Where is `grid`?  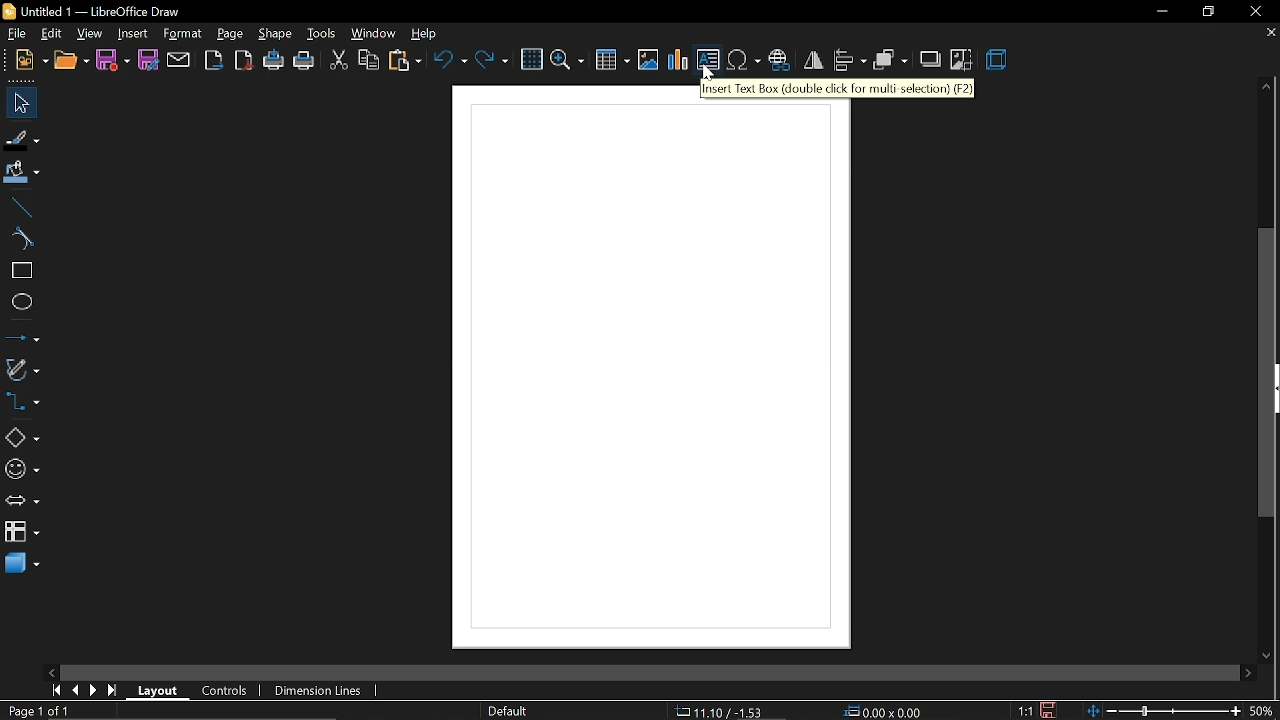
grid is located at coordinates (531, 60).